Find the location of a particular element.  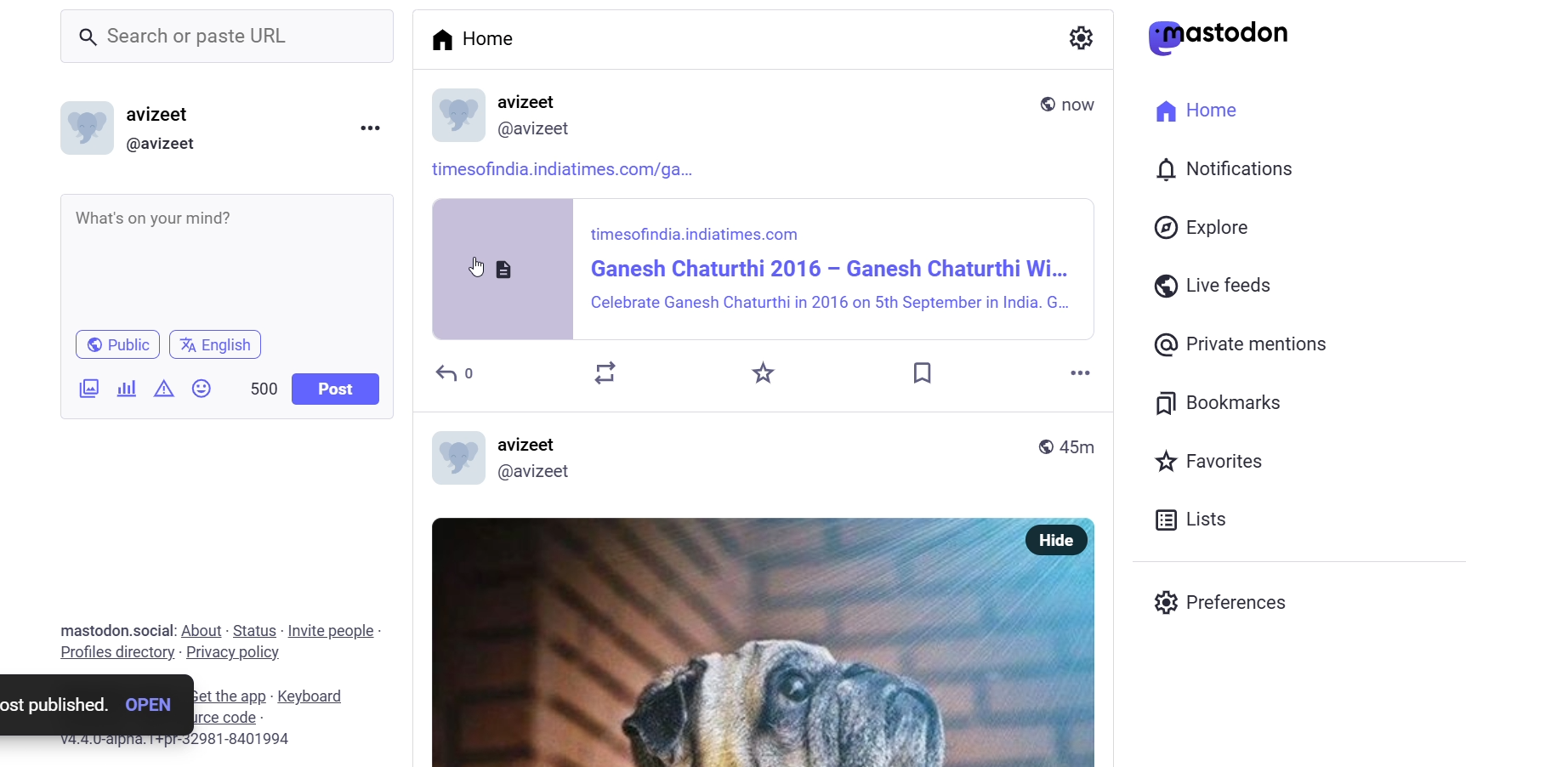

more option is located at coordinates (375, 130).